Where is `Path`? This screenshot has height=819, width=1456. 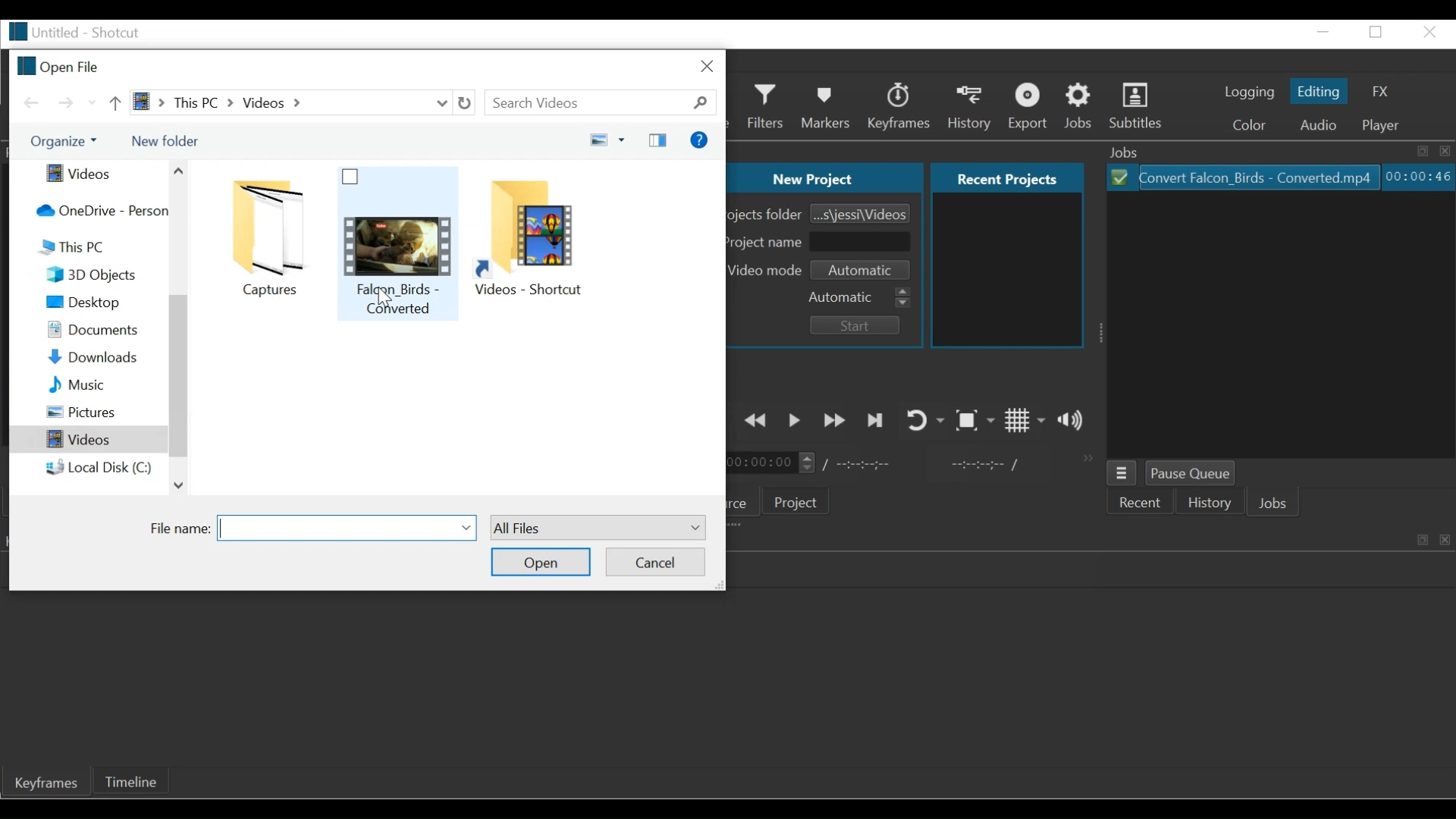 Path is located at coordinates (290, 102).